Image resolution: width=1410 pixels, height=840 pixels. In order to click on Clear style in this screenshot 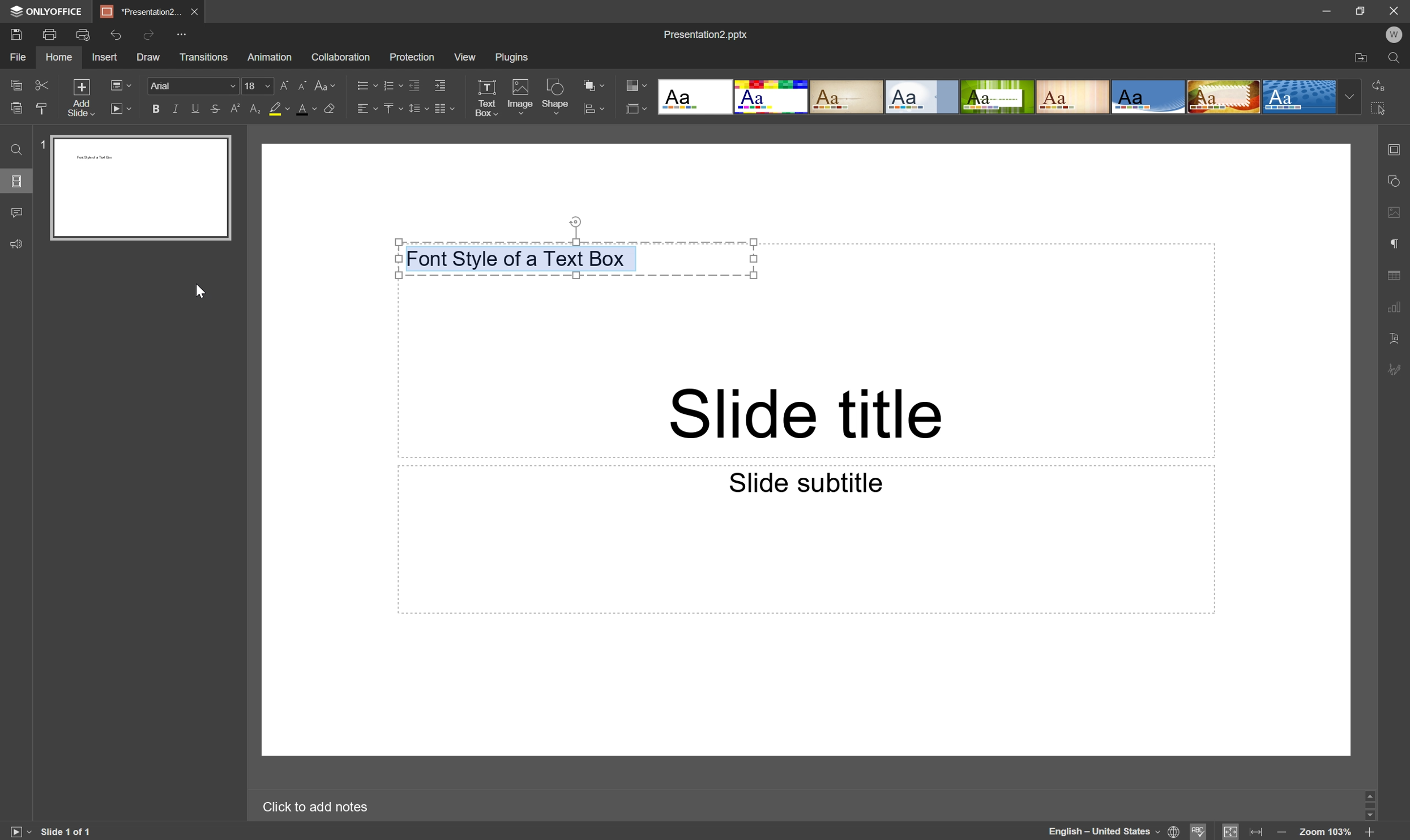, I will do `click(332, 109)`.